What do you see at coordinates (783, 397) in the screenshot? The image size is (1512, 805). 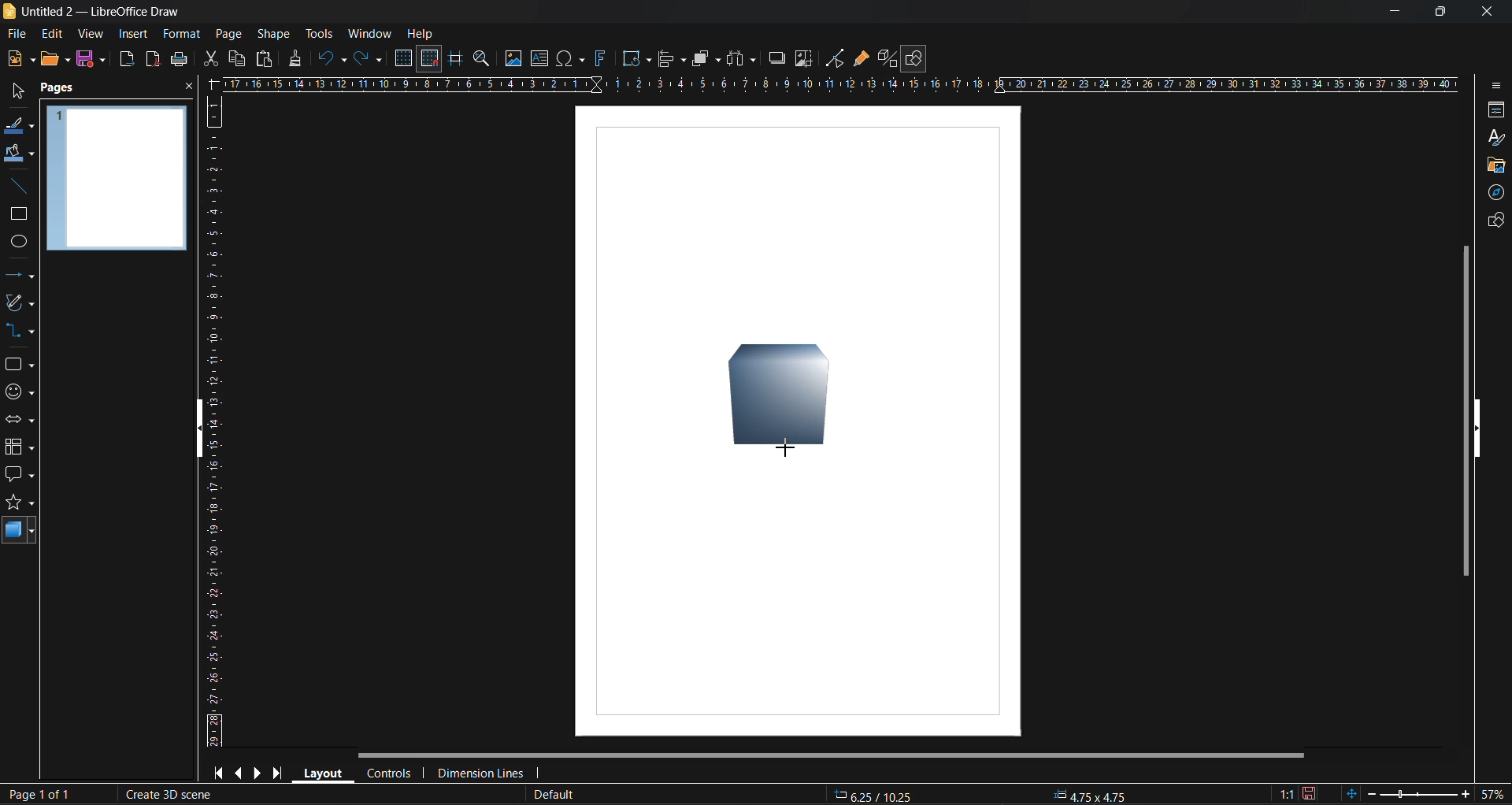 I see `cube` at bounding box center [783, 397].